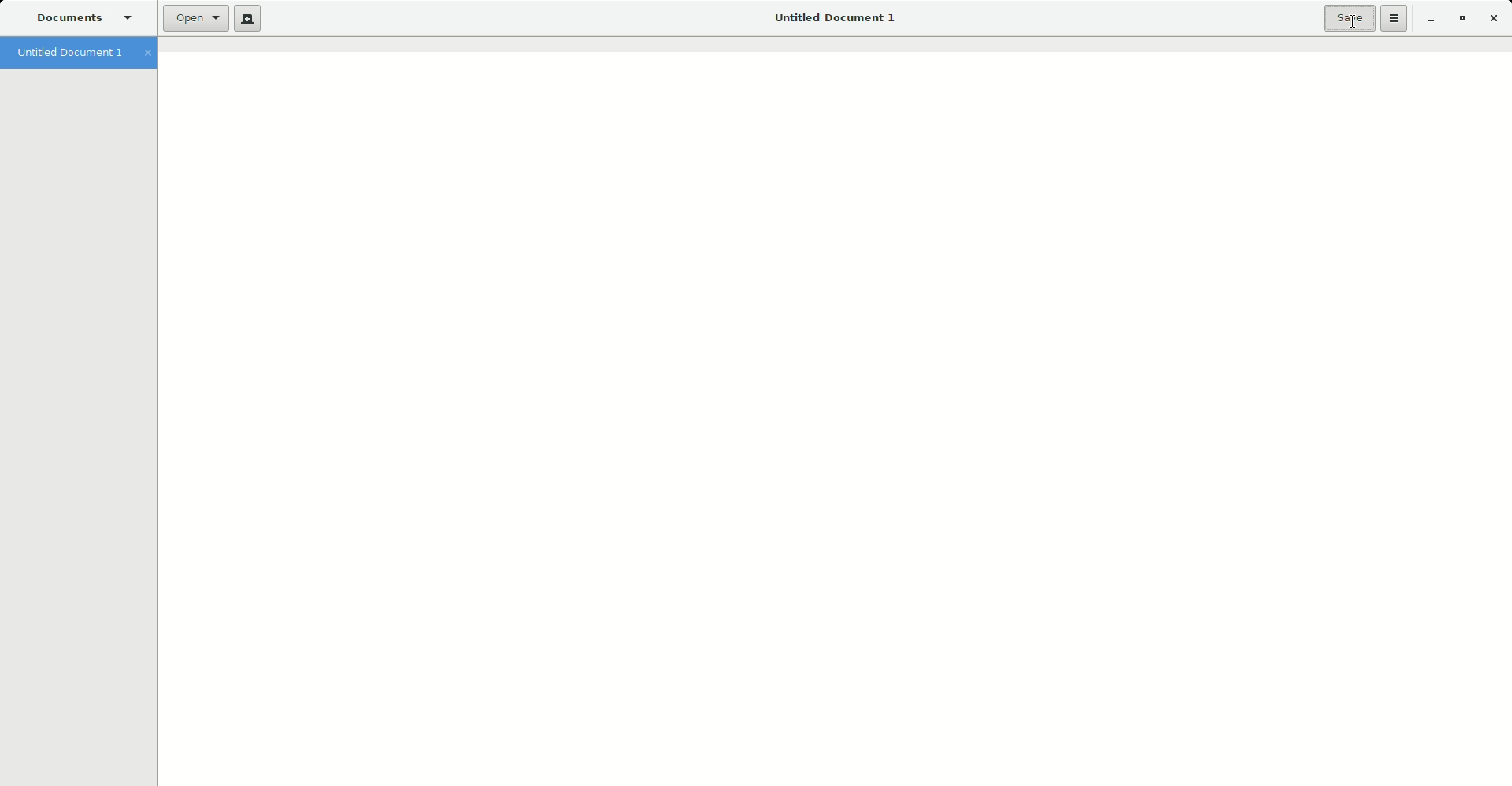 The image size is (1512, 786). I want to click on Restore, so click(1462, 18).